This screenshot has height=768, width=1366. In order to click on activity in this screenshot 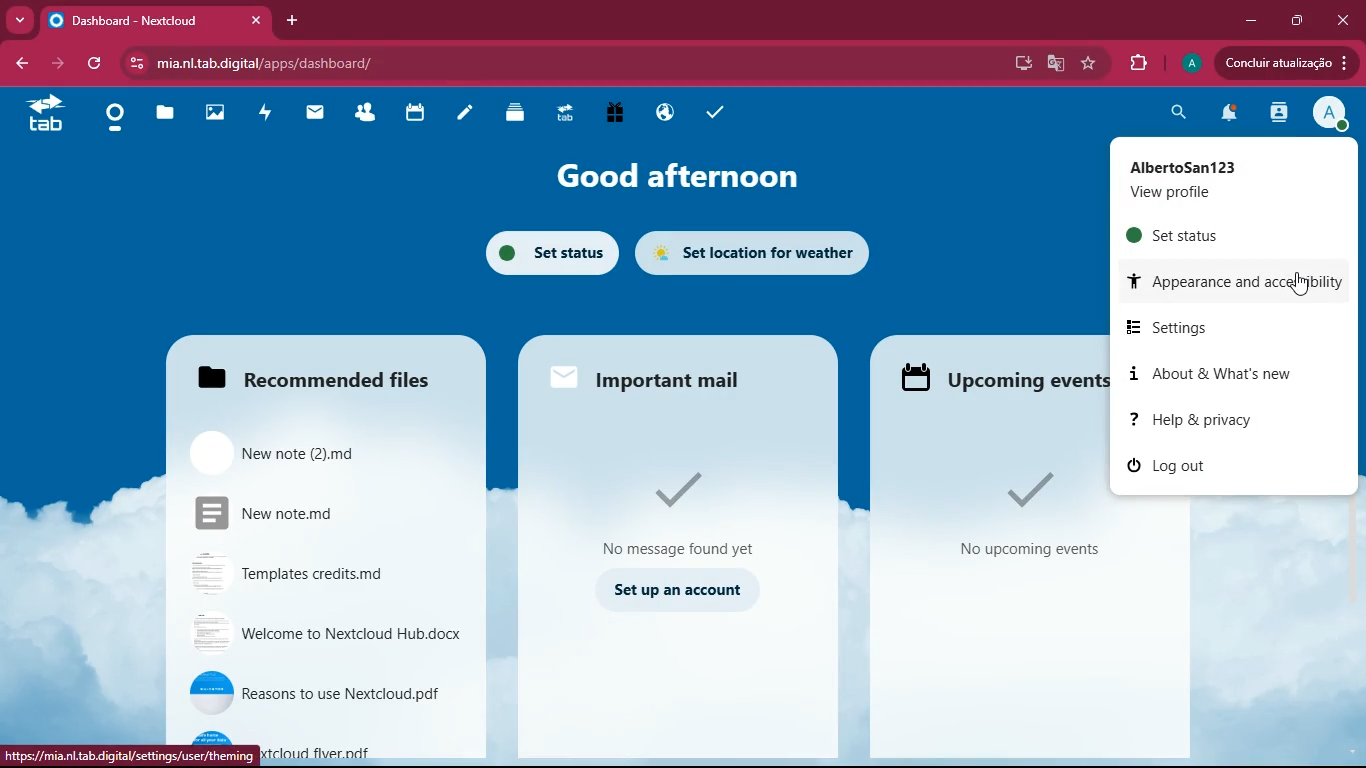, I will do `click(266, 113)`.